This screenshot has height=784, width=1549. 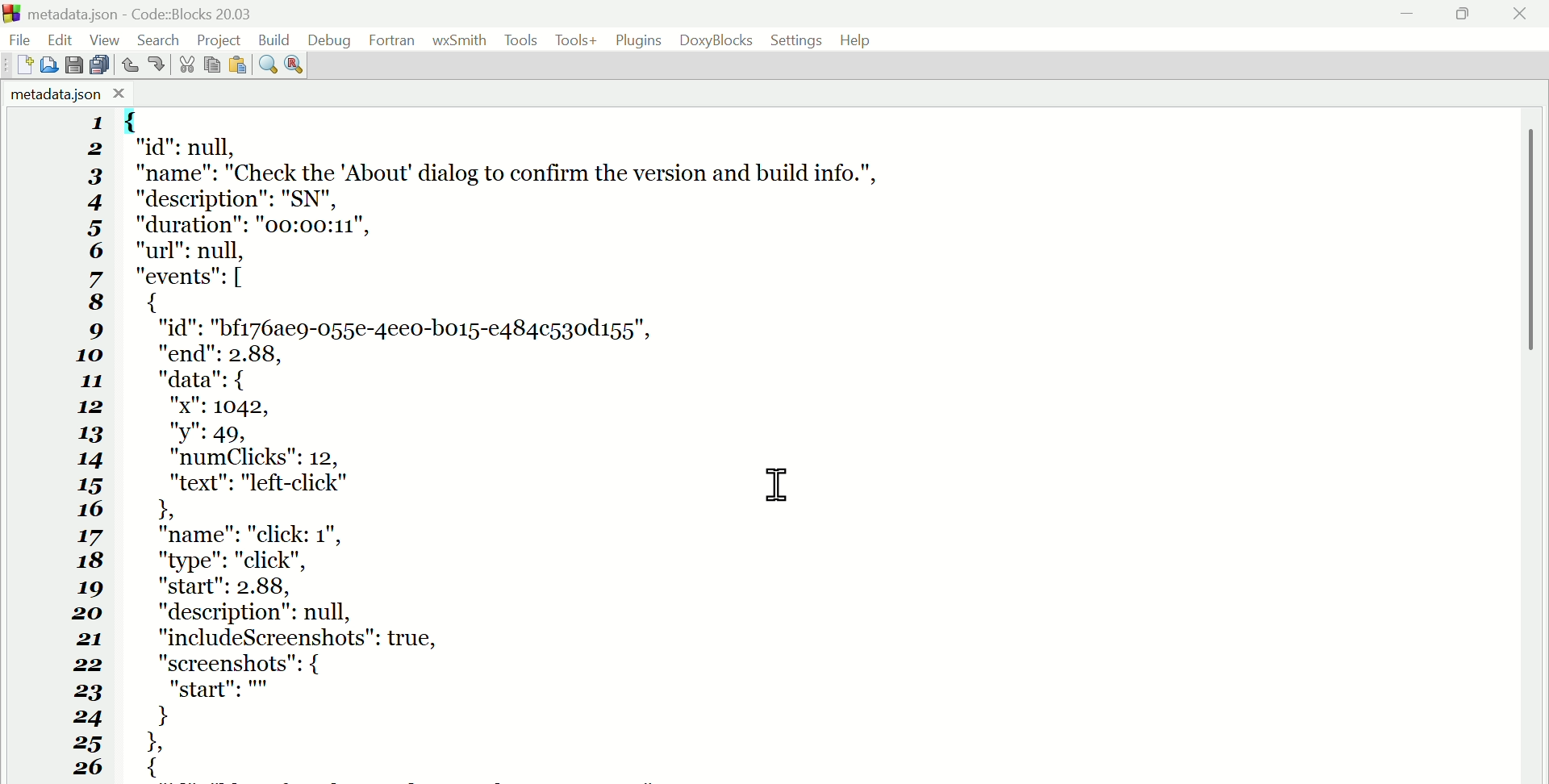 What do you see at coordinates (211, 65) in the screenshot?
I see `Copy` at bounding box center [211, 65].